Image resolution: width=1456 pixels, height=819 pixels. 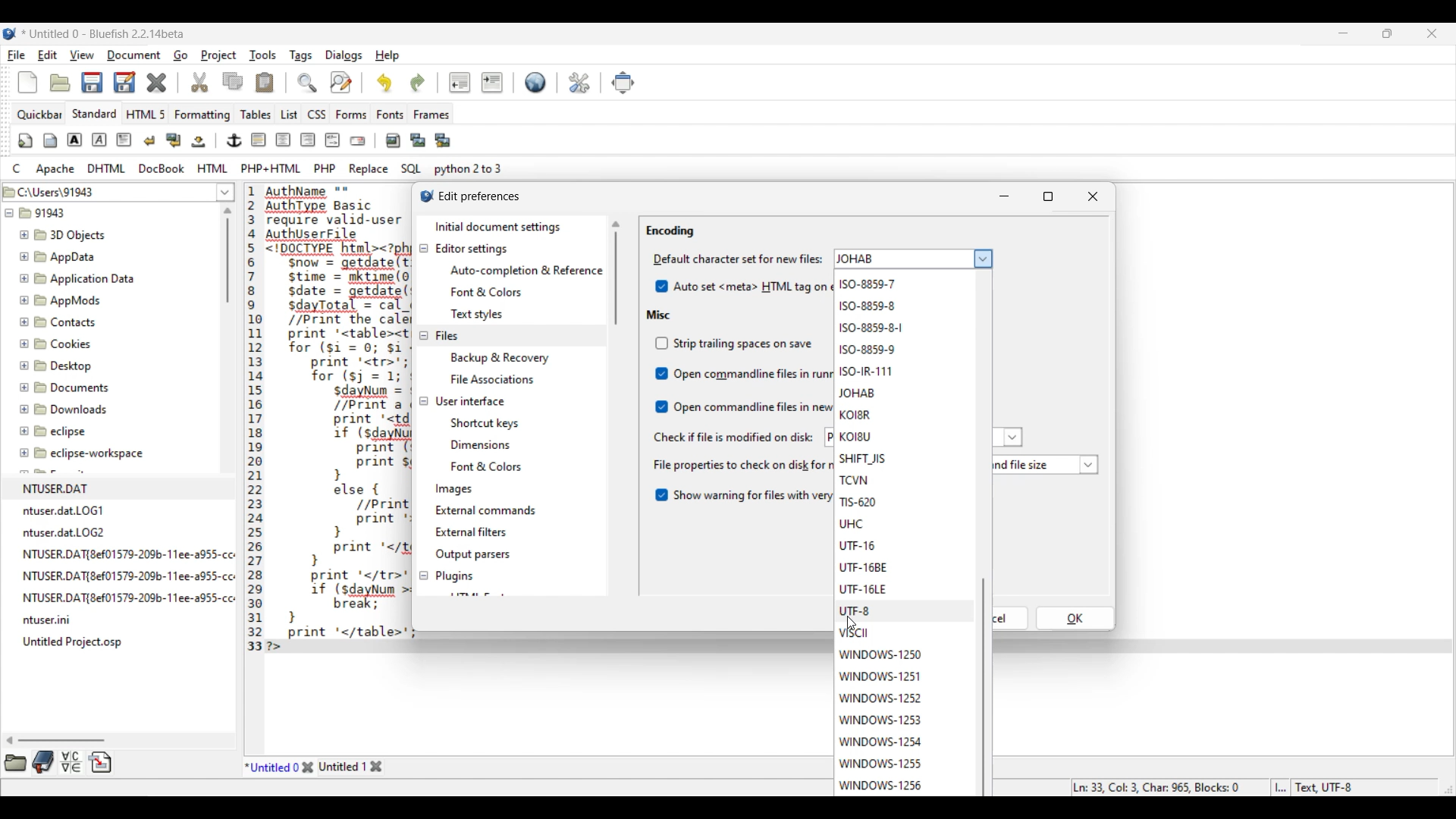 I want to click on Initial document settings, current selection highlighted, so click(x=511, y=226).